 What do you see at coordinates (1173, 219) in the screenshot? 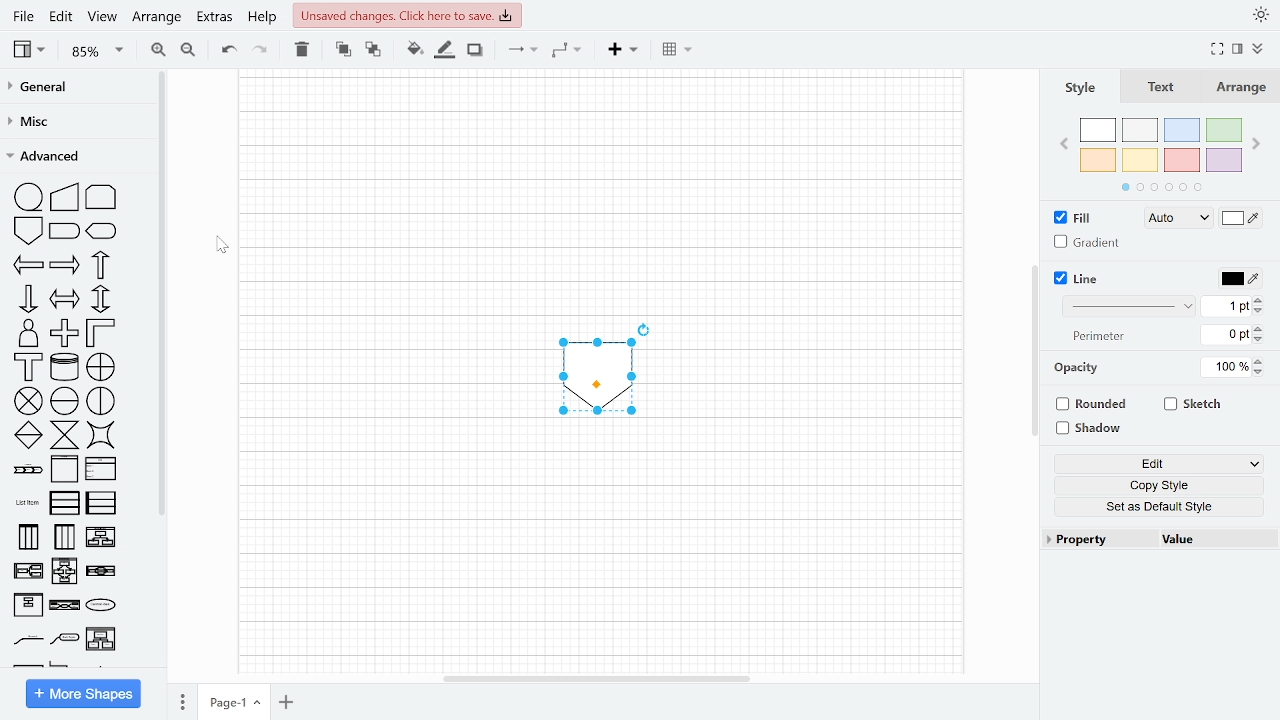
I see `Fill style` at bounding box center [1173, 219].